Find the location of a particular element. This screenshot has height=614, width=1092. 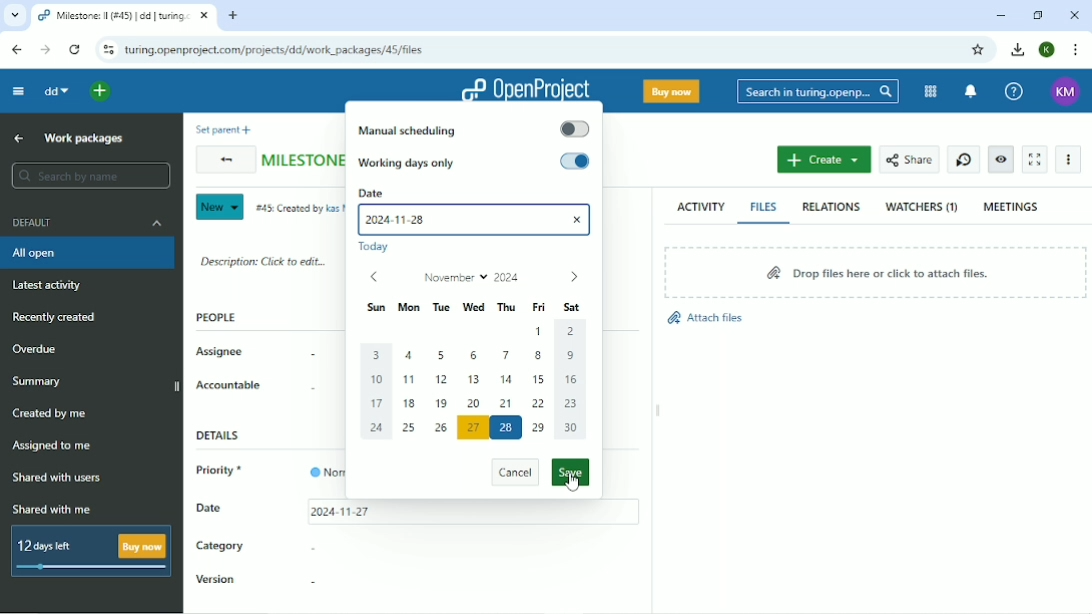

Restore down is located at coordinates (1040, 15).